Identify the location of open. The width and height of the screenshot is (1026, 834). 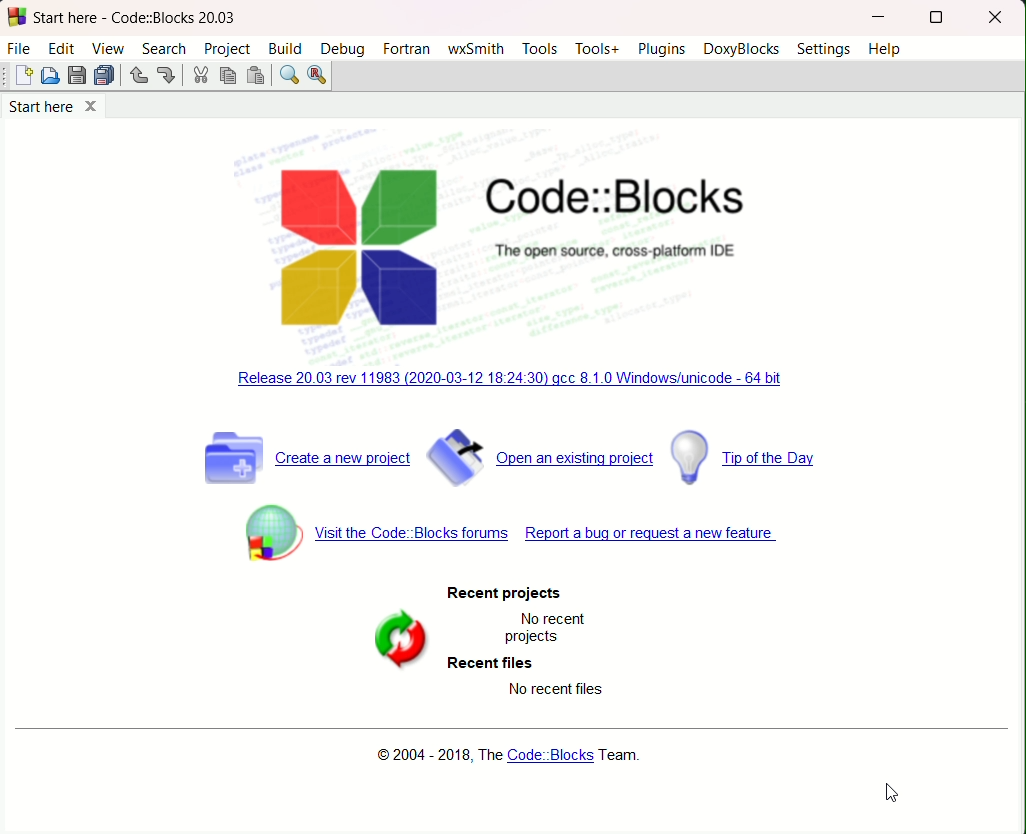
(51, 76).